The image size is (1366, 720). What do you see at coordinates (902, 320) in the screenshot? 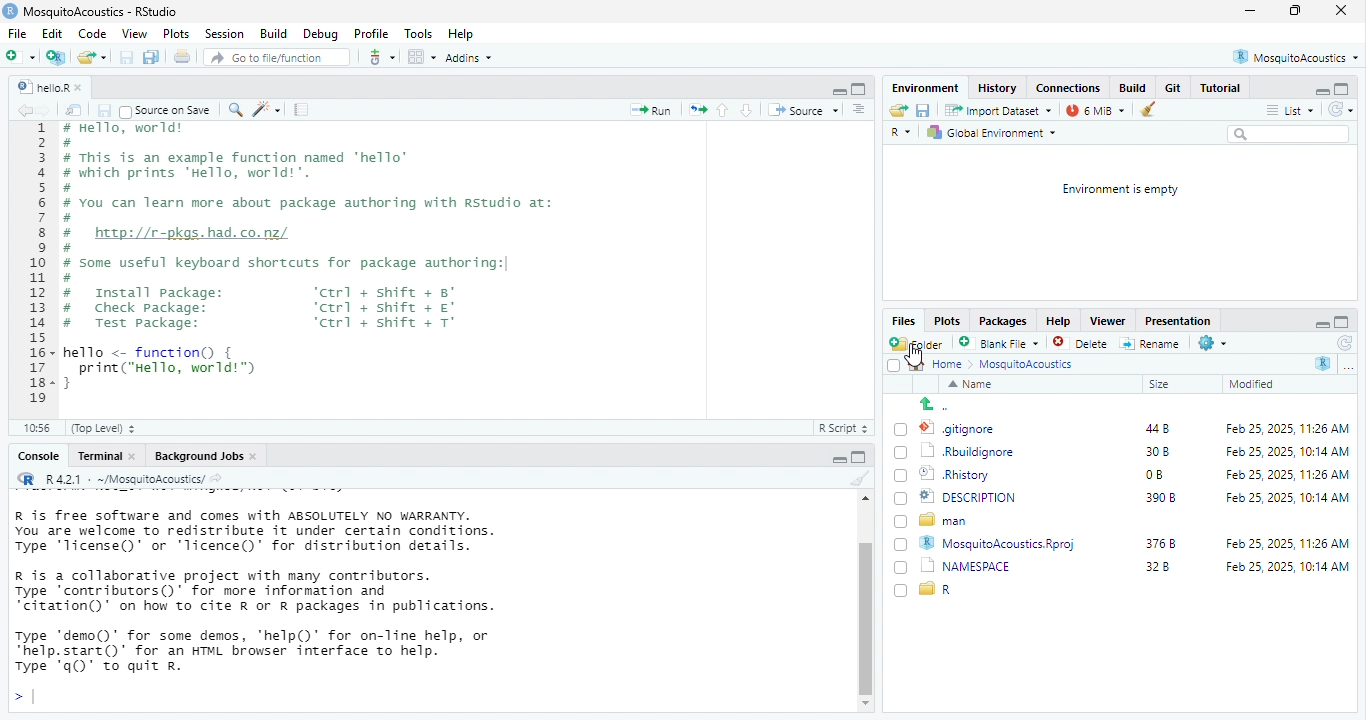
I see `Files` at bounding box center [902, 320].